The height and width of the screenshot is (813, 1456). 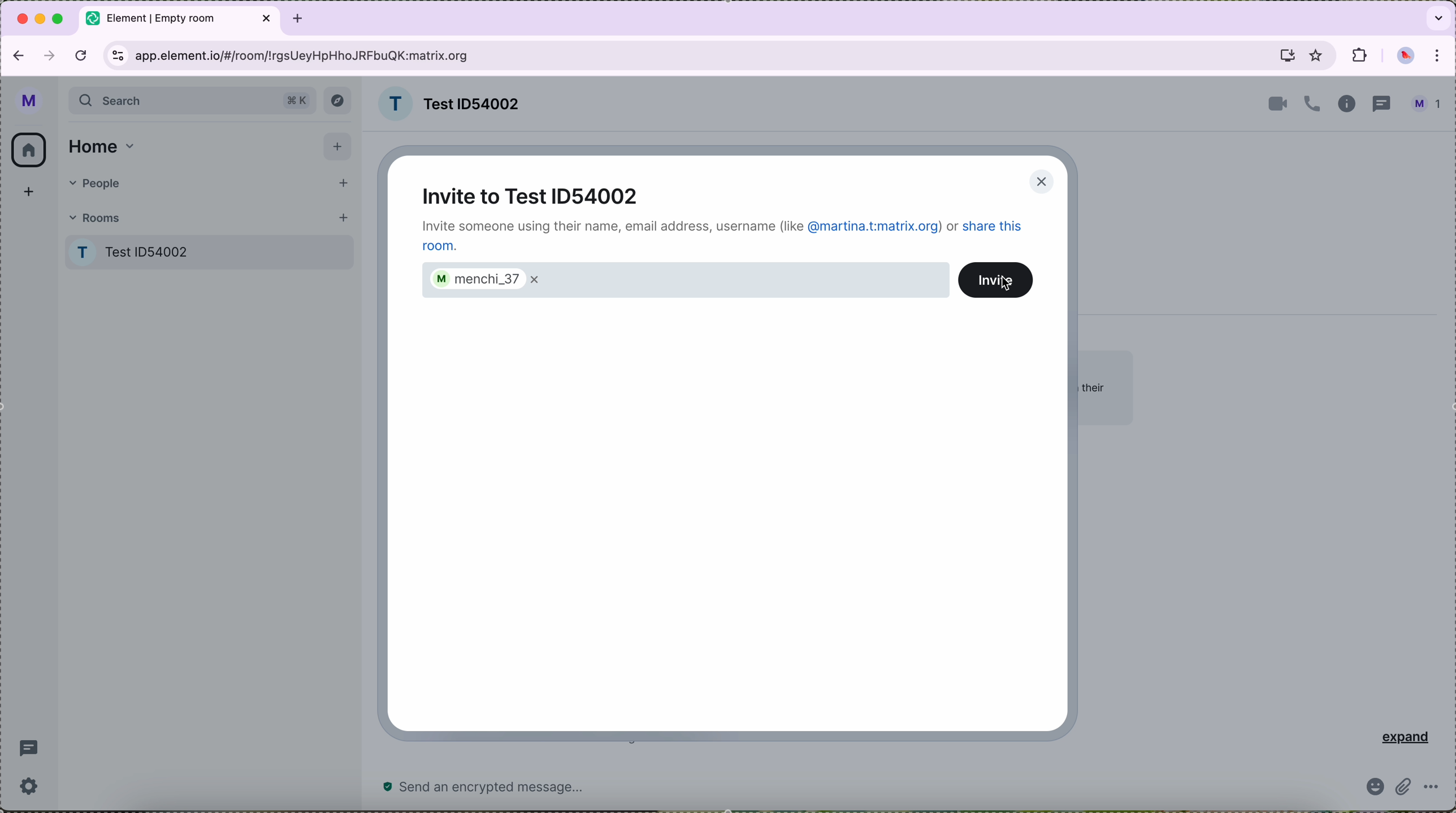 What do you see at coordinates (488, 283) in the screenshot?
I see `menchi_37` at bounding box center [488, 283].